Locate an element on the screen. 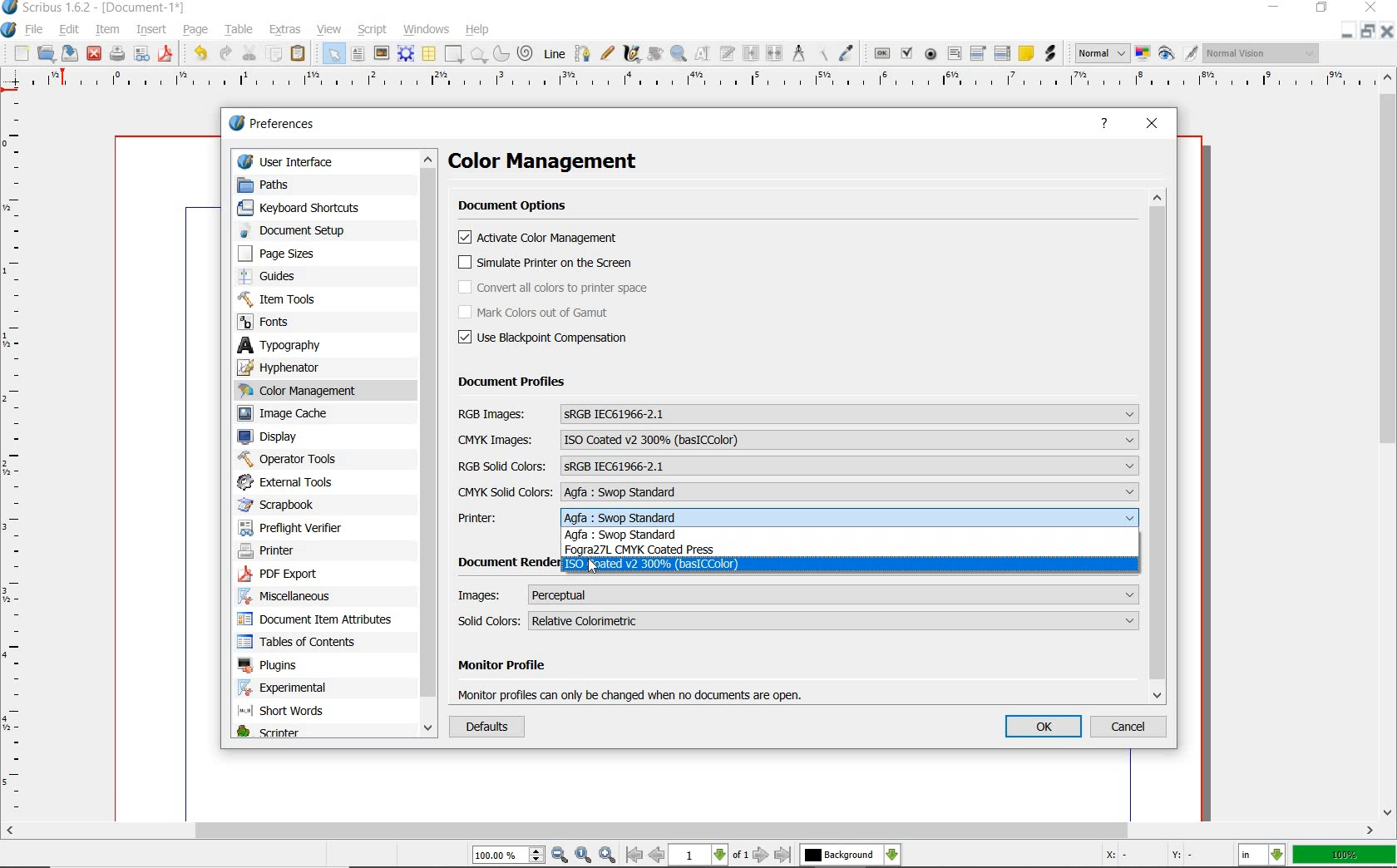 The image size is (1397, 868). ruler is located at coordinates (22, 457).